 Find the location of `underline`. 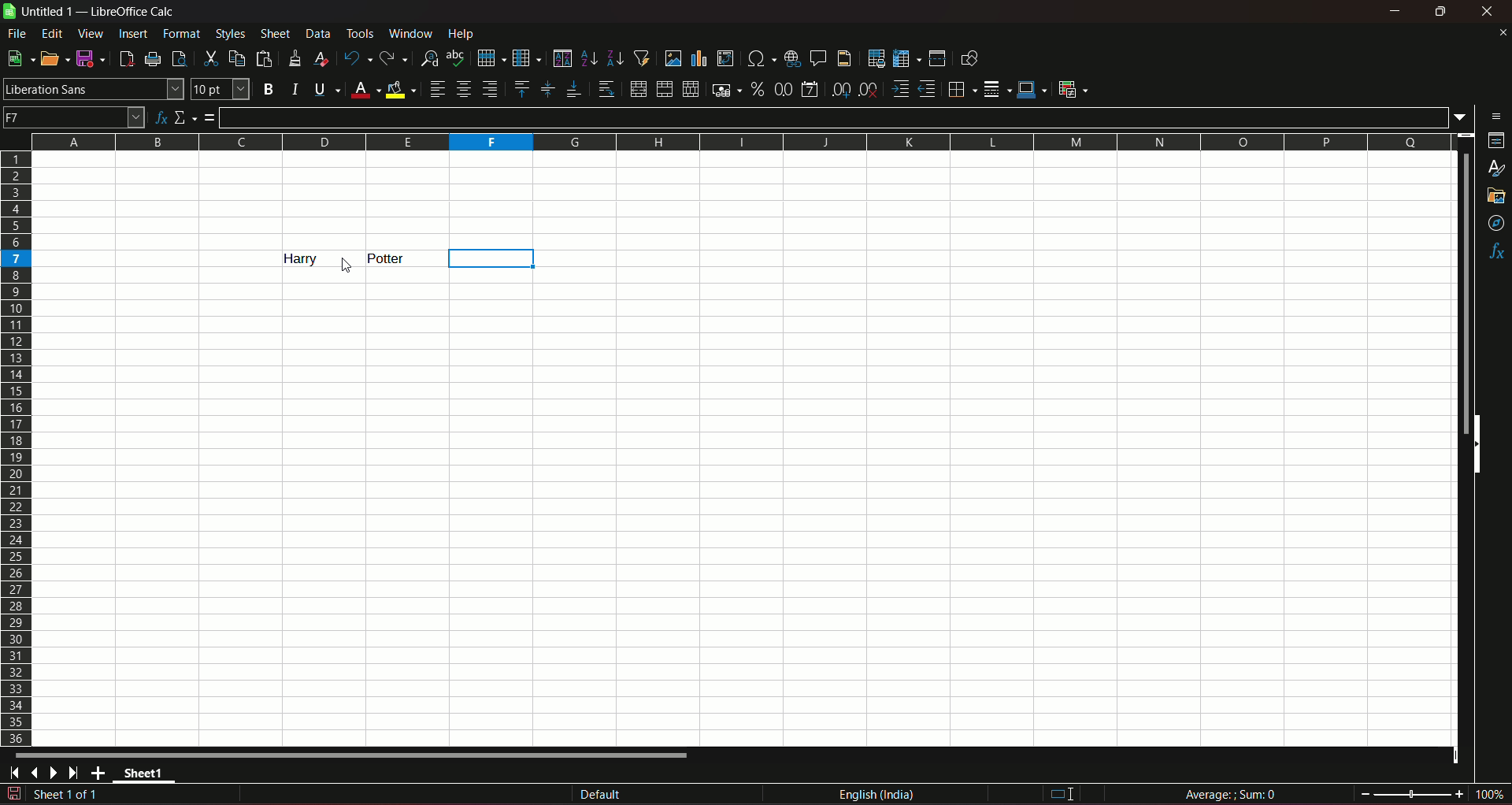

underline is located at coordinates (326, 89).